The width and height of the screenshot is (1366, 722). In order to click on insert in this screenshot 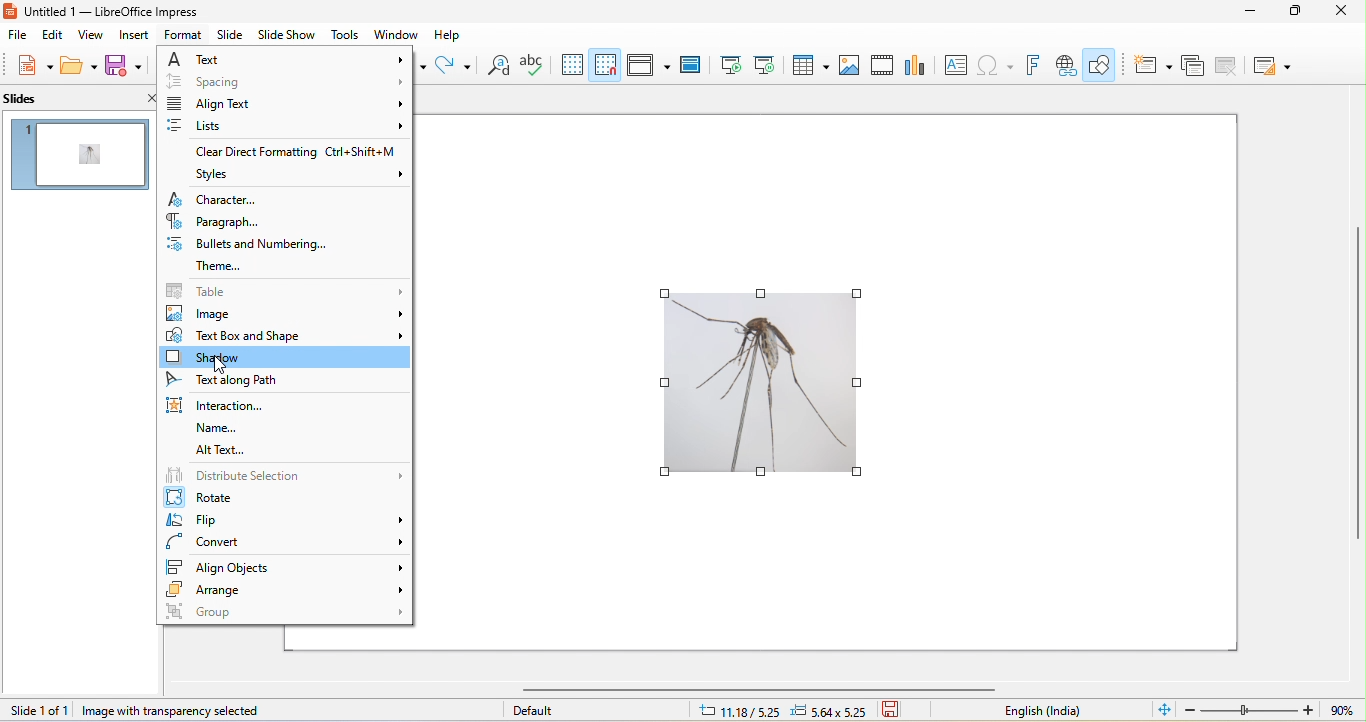, I will do `click(135, 35)`.